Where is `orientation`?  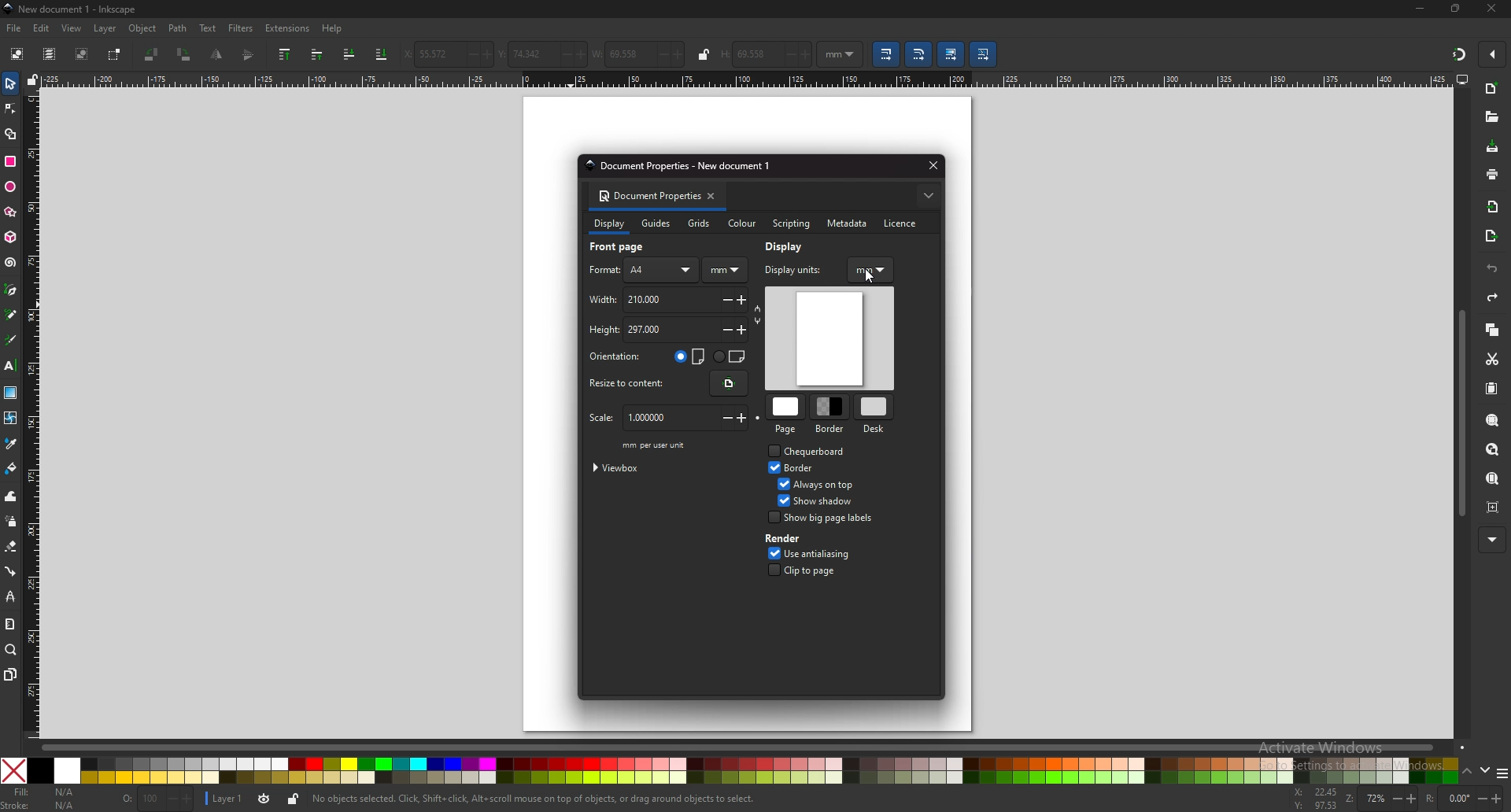 orientation is located at coordinates (619, 357).